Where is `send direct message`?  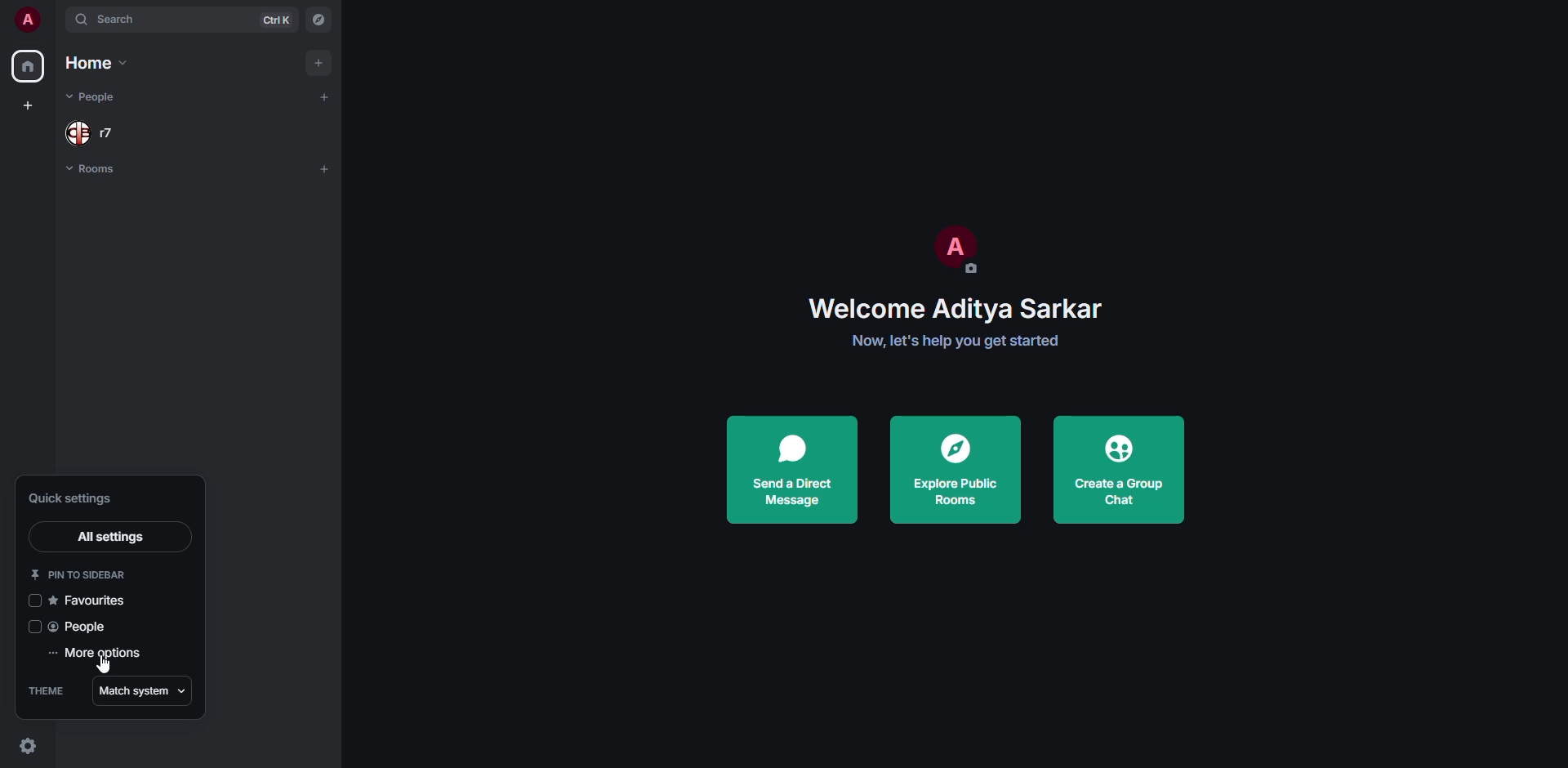
send direct message is located at coordinates (795, 469).